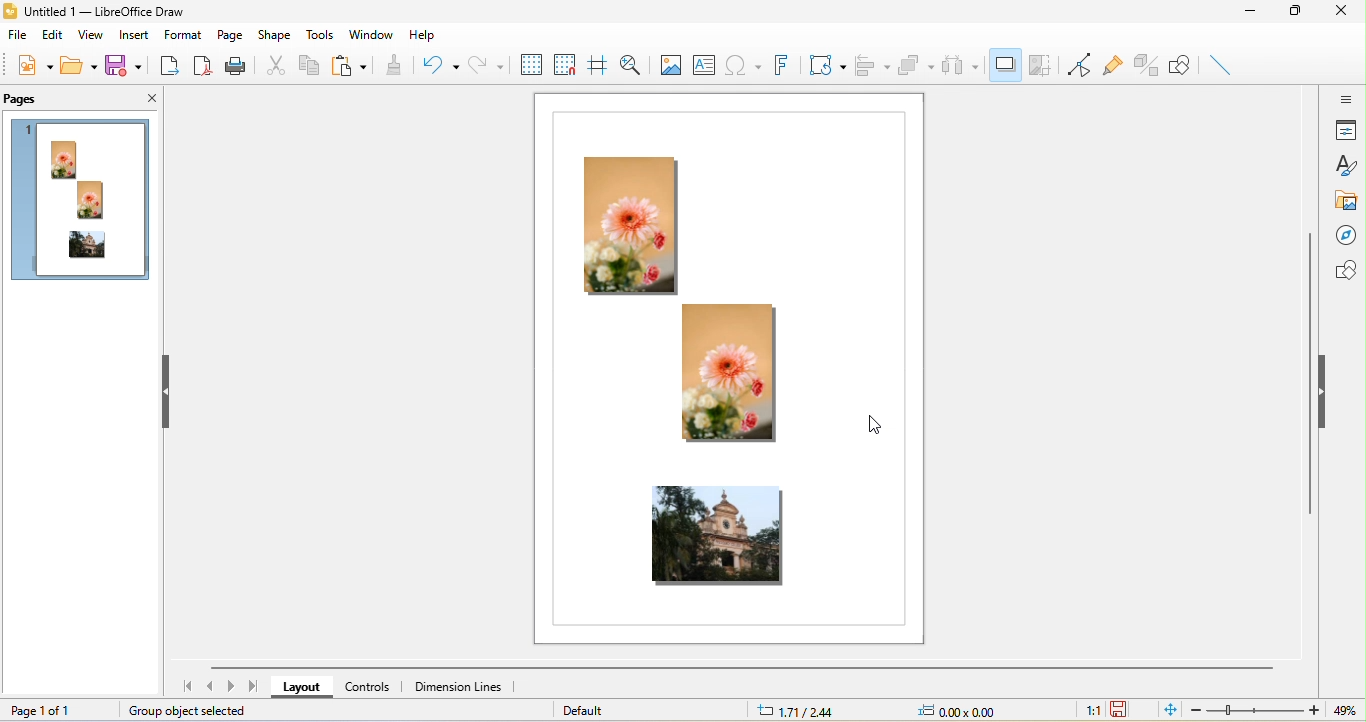  I want to click on fit to current window, so click(1167, 710).